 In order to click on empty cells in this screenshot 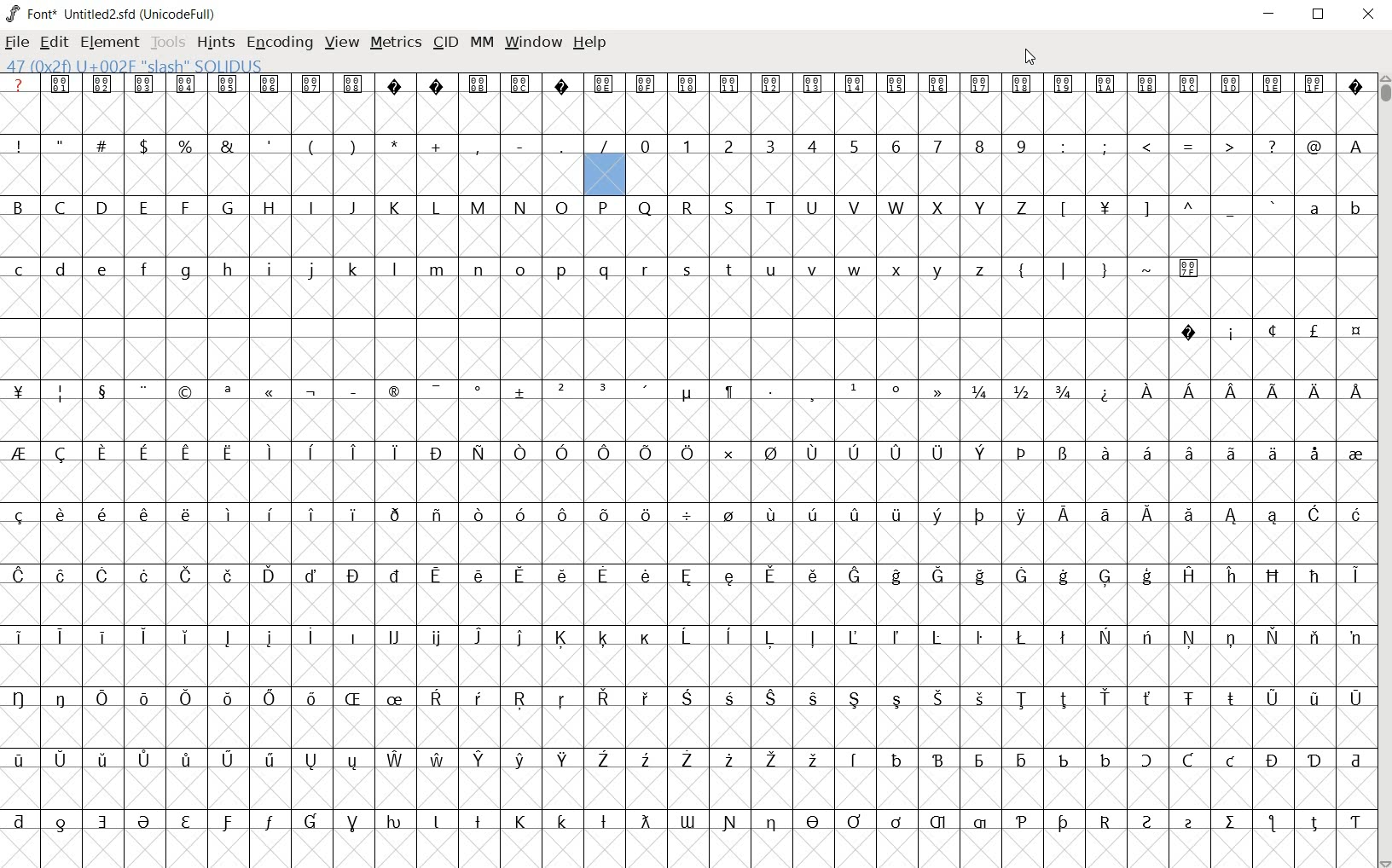, I will do `click(687, 789)`.